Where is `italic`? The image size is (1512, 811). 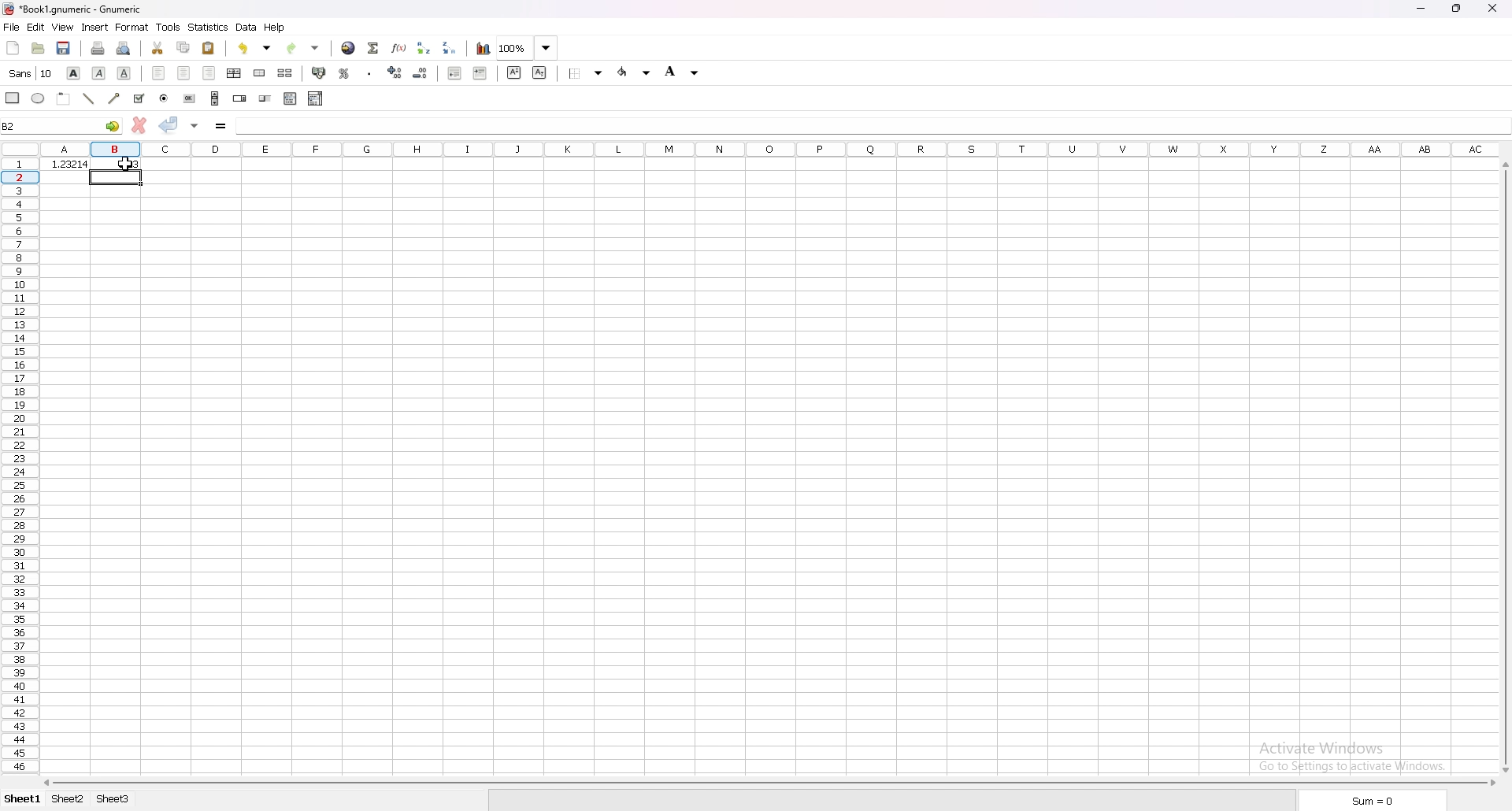 italic is located at coordinates (99, 72).